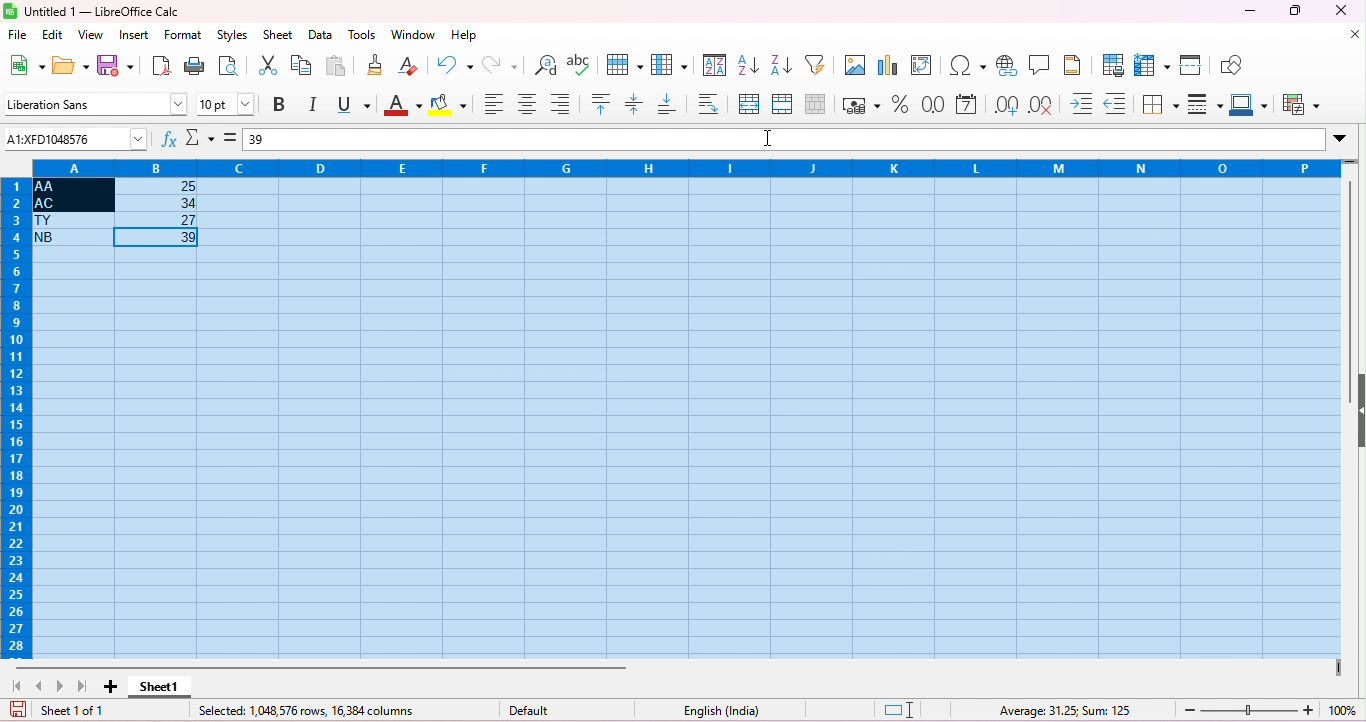 Image resolution: width=1366 pixels, height=722 pixels. What do you see at coordinates (63, 686) in the screenshot?
I see `next sheet` at bounding box center [63, 686].